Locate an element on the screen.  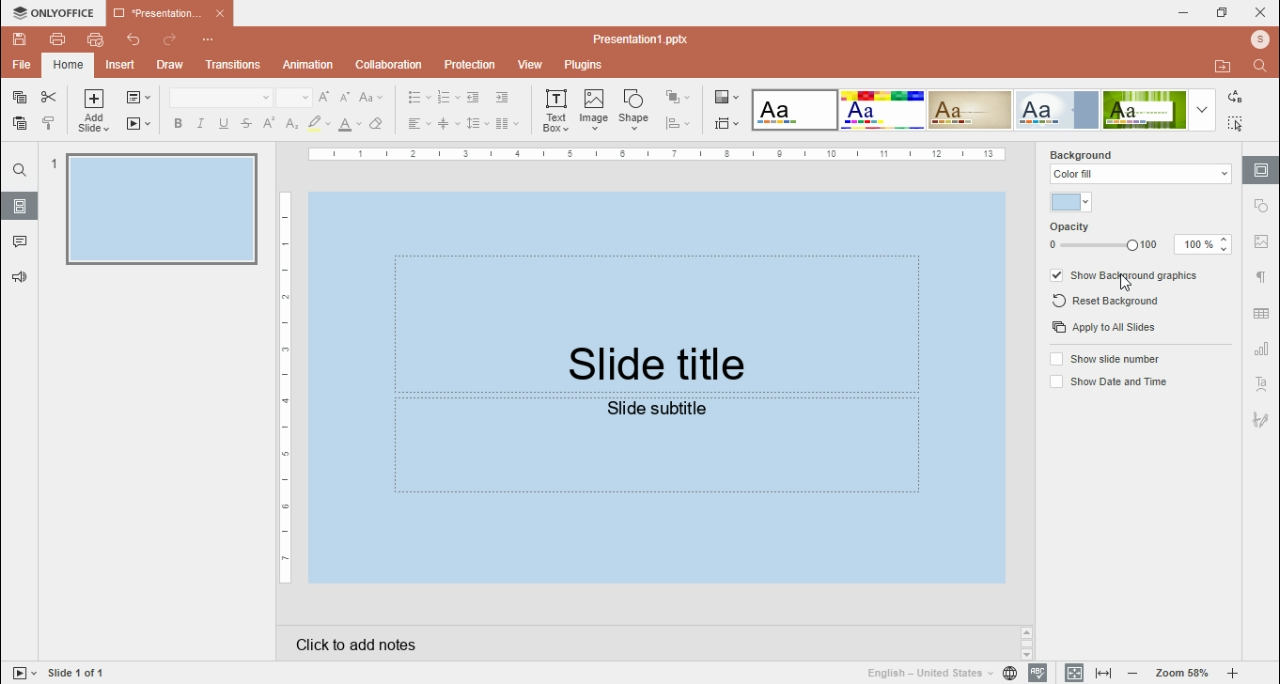
undo is located at coordinates (135, 40).